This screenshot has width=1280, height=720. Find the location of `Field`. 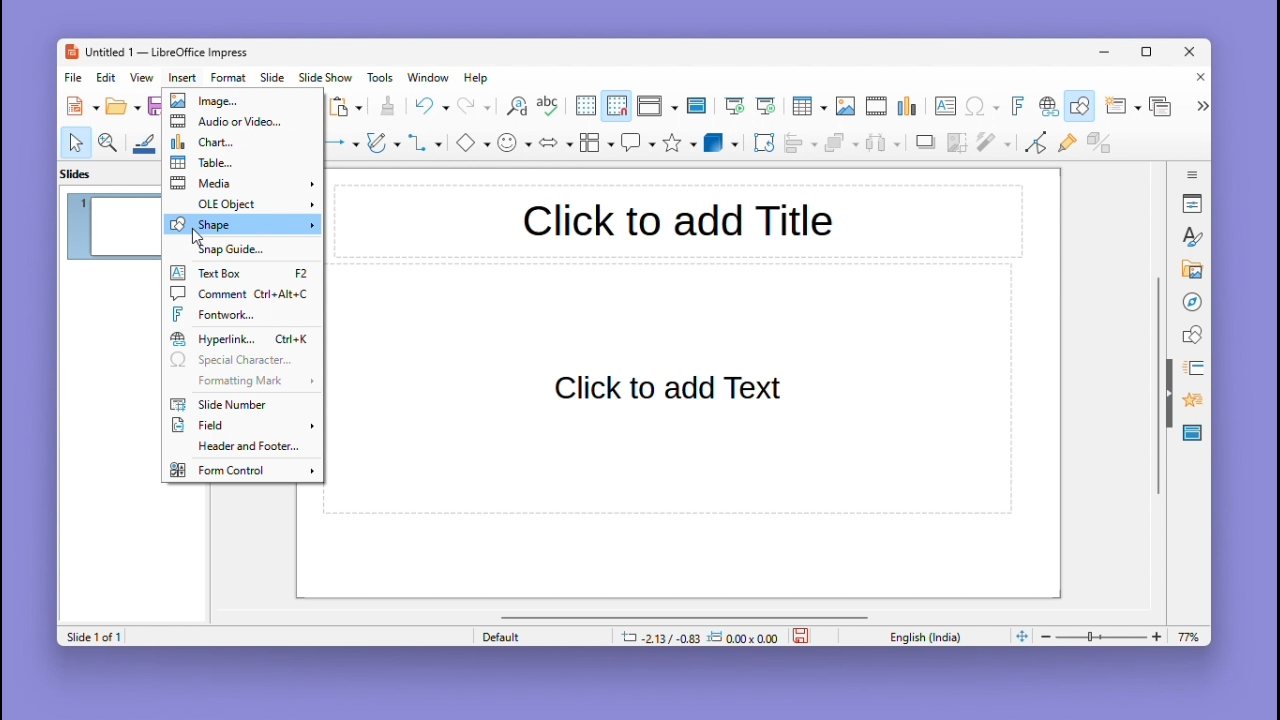

Field is located at coordinates (242, 427).